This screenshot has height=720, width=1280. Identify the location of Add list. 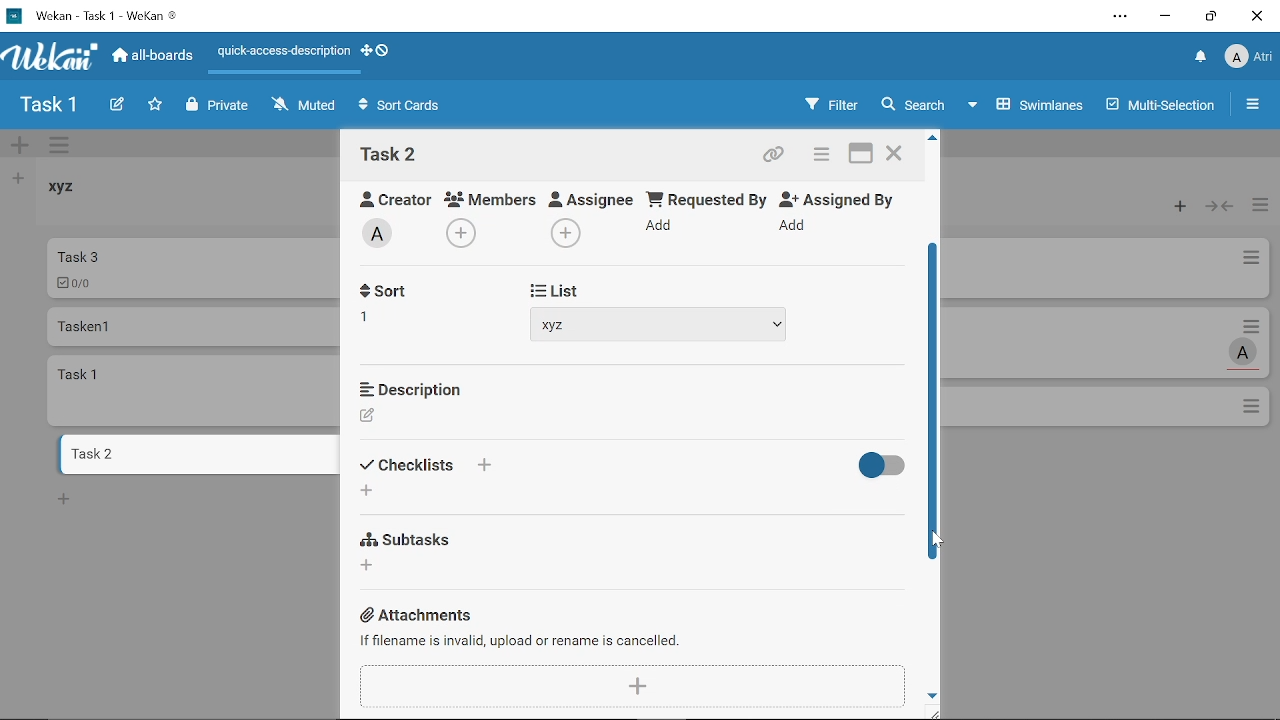
(16, 178).